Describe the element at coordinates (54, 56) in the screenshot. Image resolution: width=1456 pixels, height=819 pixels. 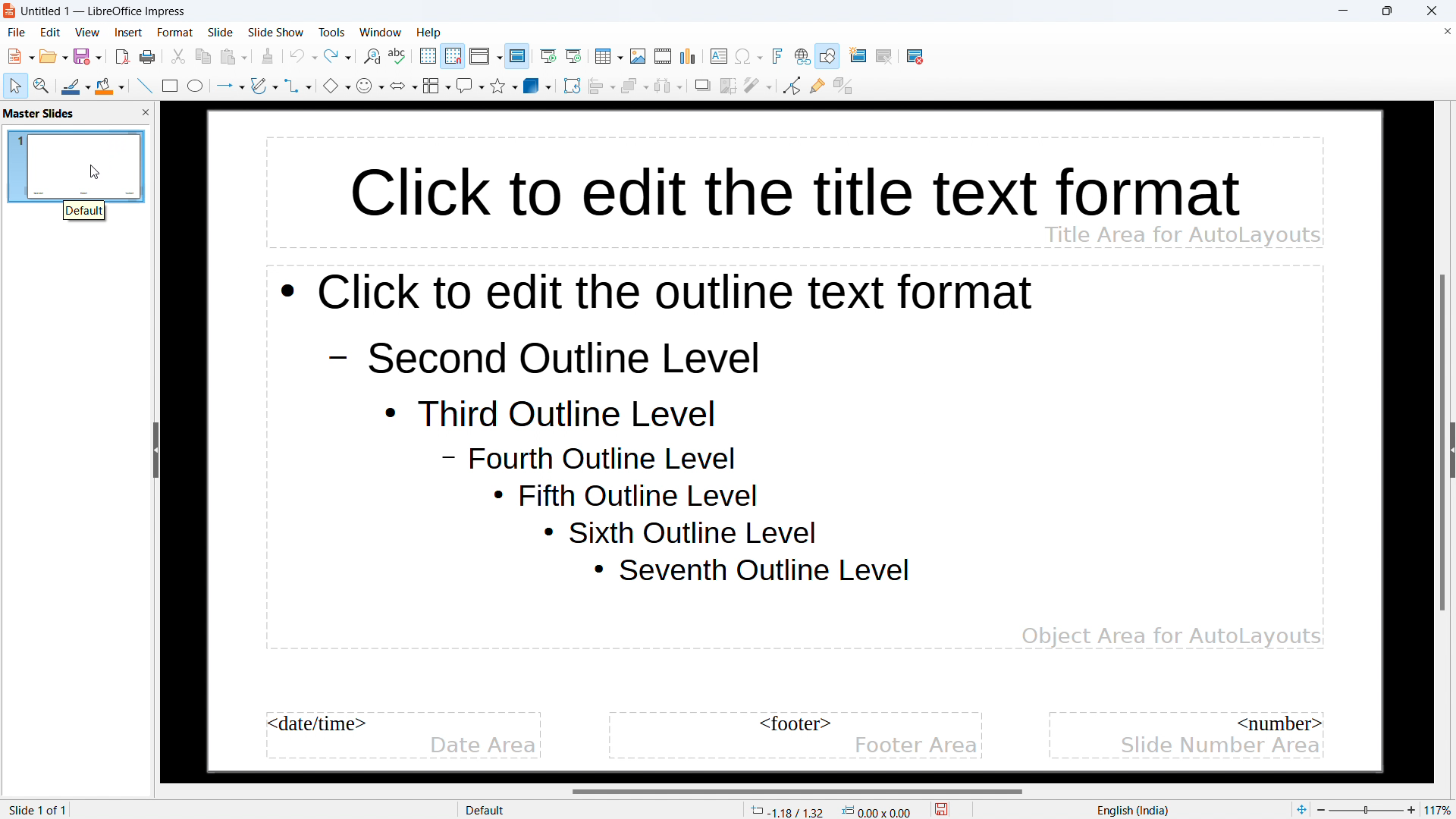
I see `open` at that location.